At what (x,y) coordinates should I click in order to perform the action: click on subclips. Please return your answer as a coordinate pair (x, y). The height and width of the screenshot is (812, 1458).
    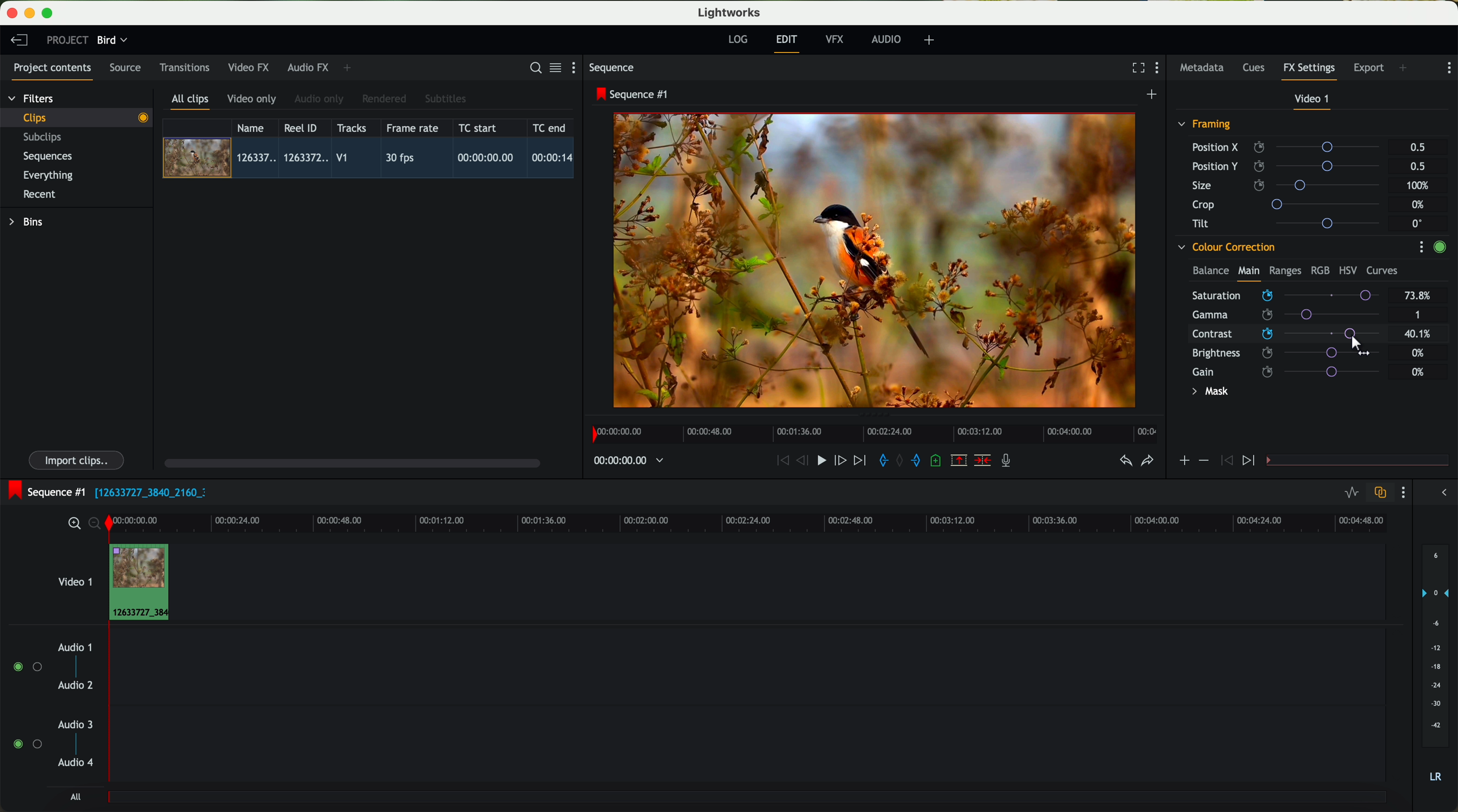
    Looking at the image, I should click on (45, 138).